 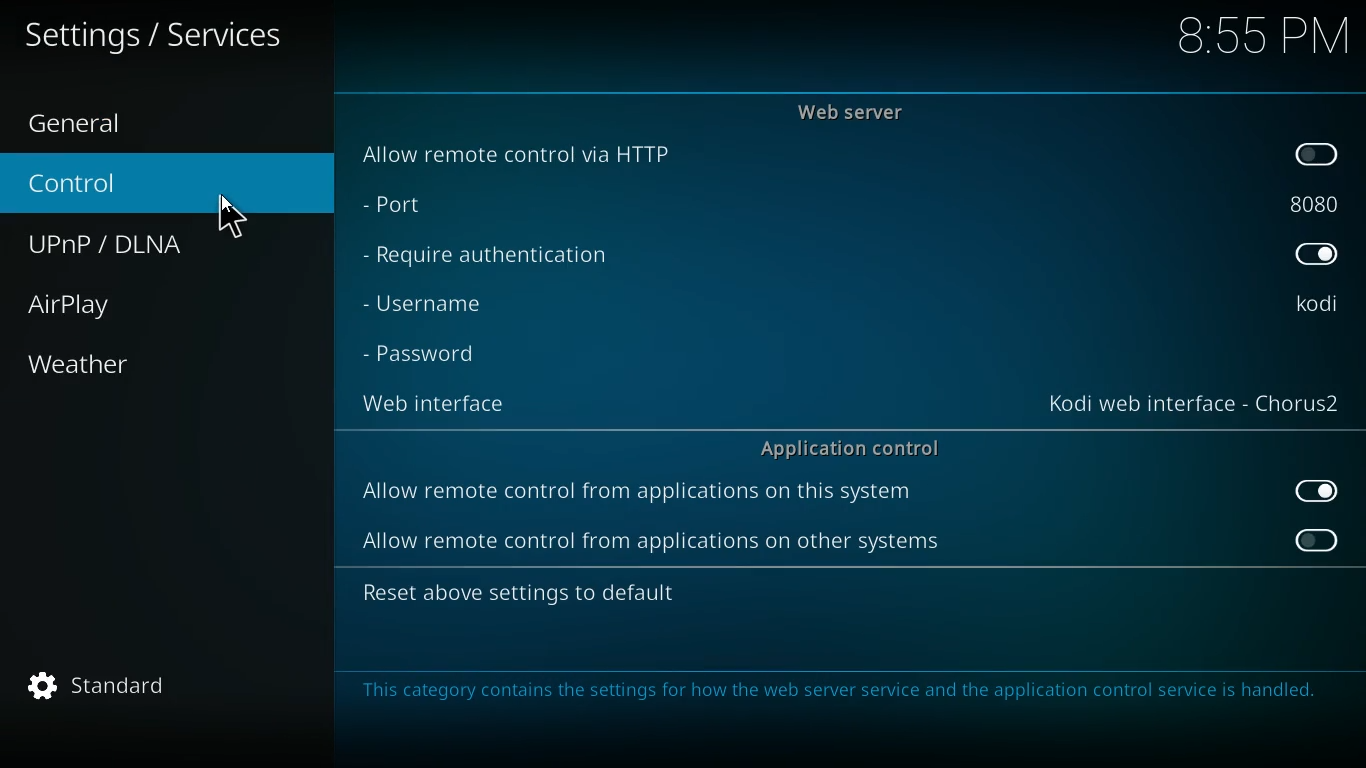 What do you see at coordinates (96, 185) in the screenshot?
I see `control` at bounding box center [96, 185].